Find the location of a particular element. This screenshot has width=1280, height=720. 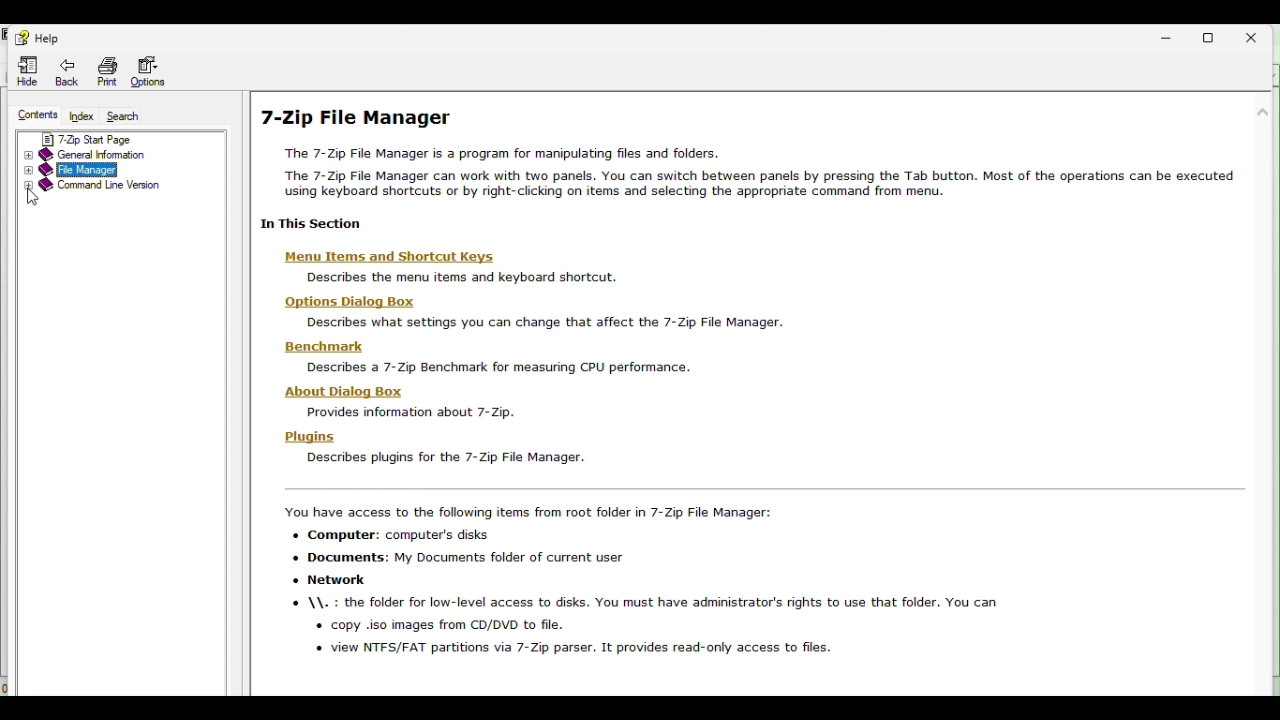

| In This Section is located at coordinates (307, 224).